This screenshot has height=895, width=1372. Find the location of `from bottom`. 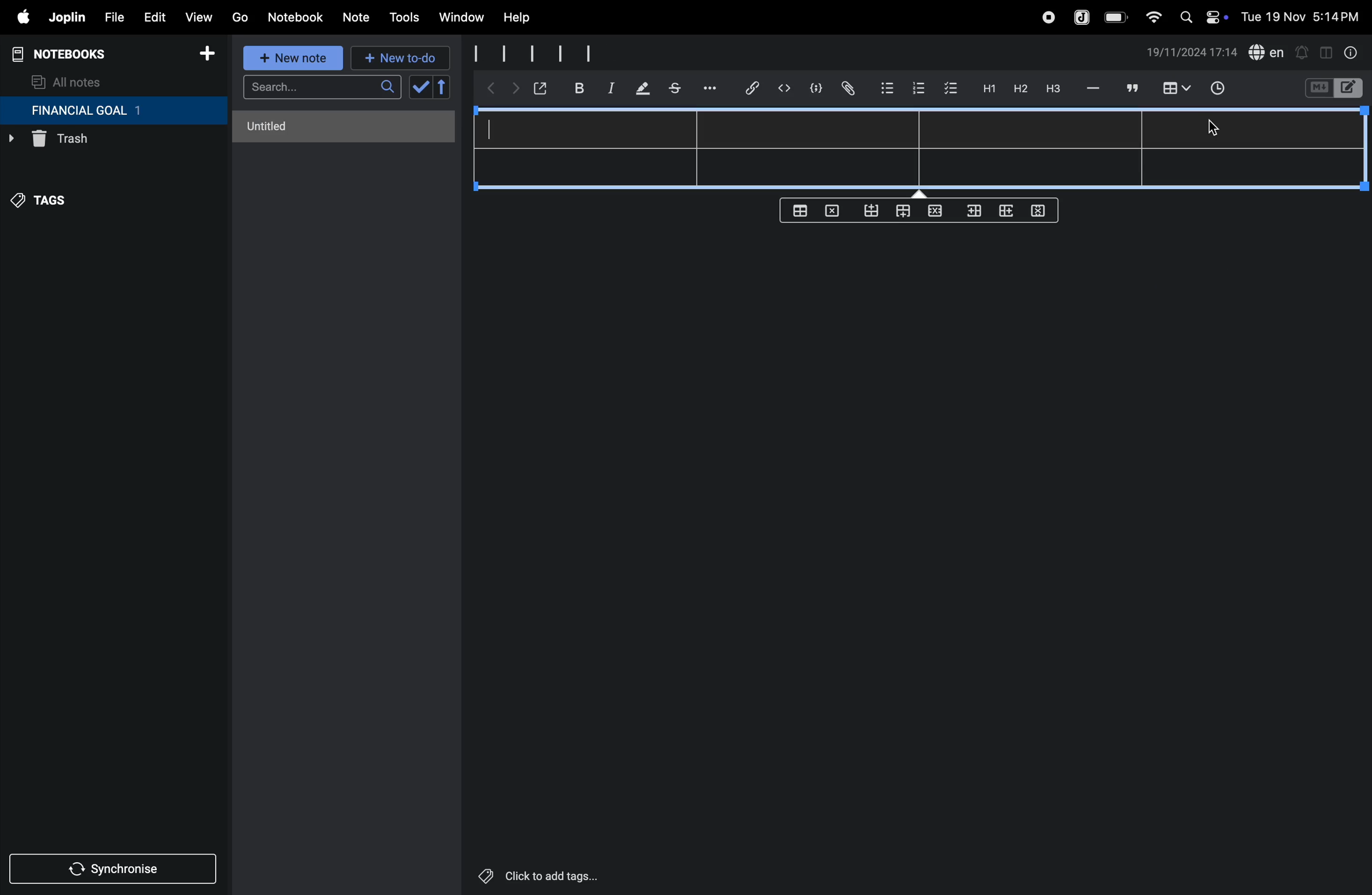

from bottom is located at coordinates (872, 211).